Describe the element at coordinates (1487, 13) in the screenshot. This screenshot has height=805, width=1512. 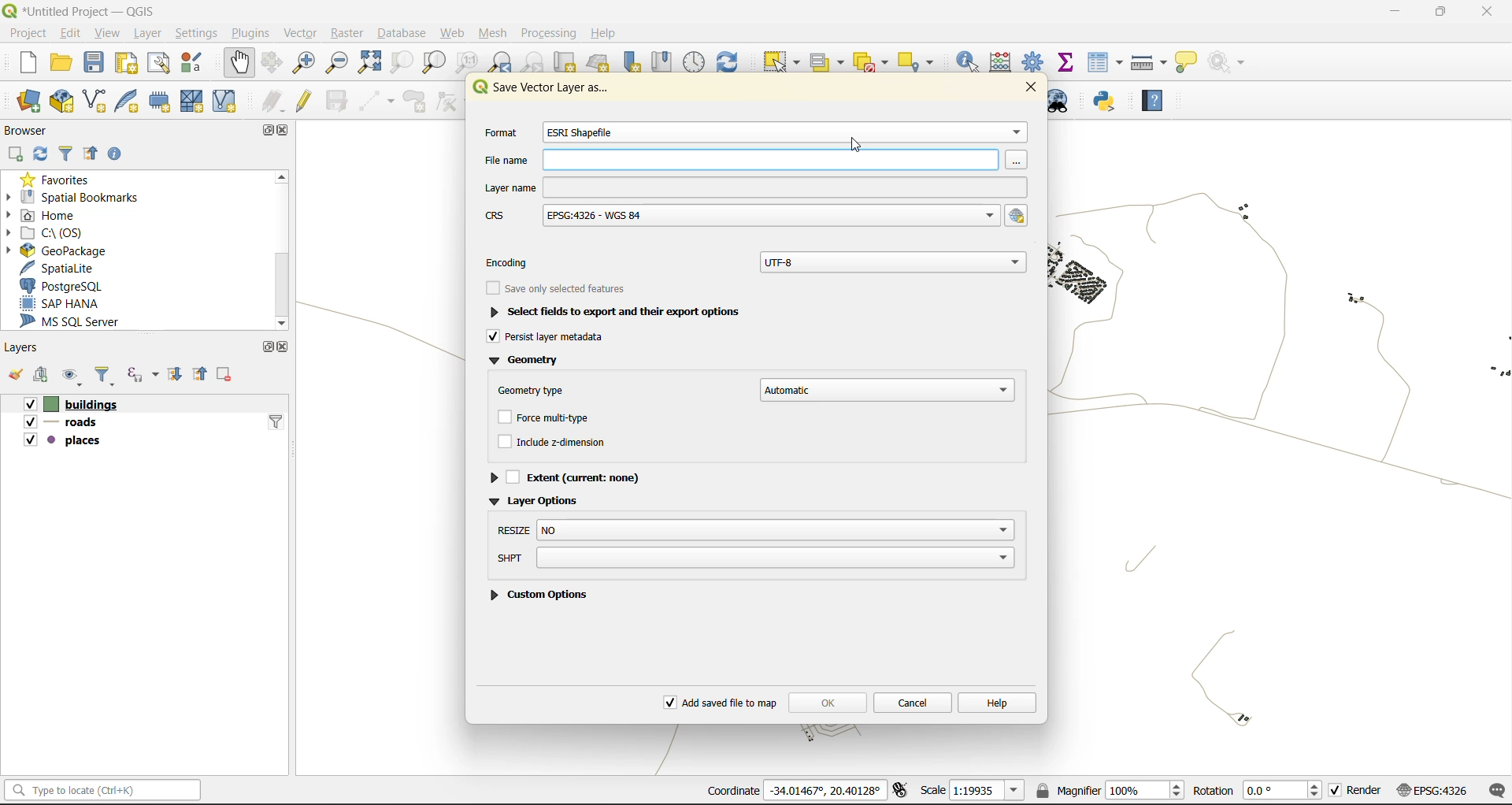
I see `close` at that location.